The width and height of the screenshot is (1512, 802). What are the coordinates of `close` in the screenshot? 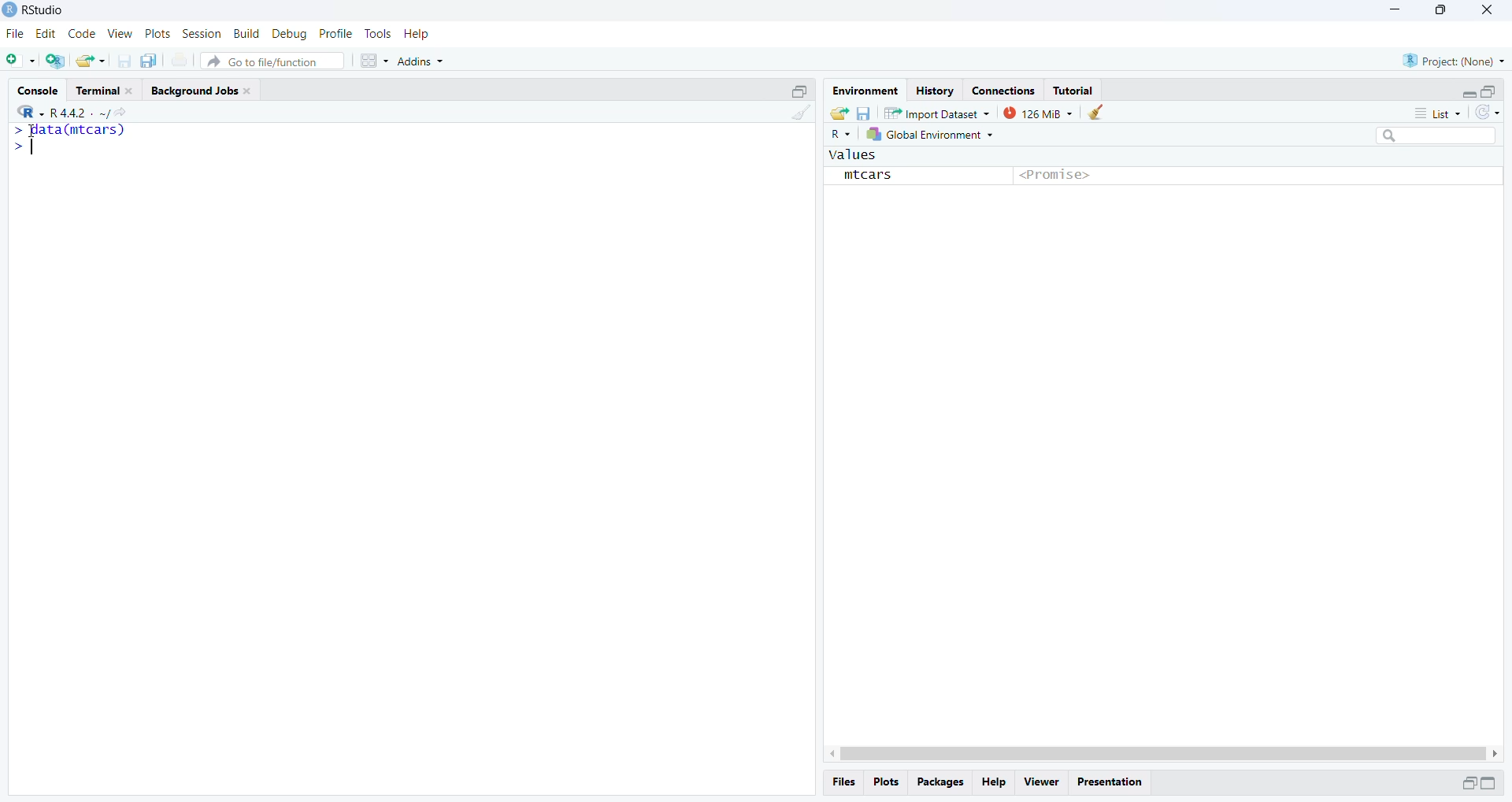 It's located at (1486, 12).